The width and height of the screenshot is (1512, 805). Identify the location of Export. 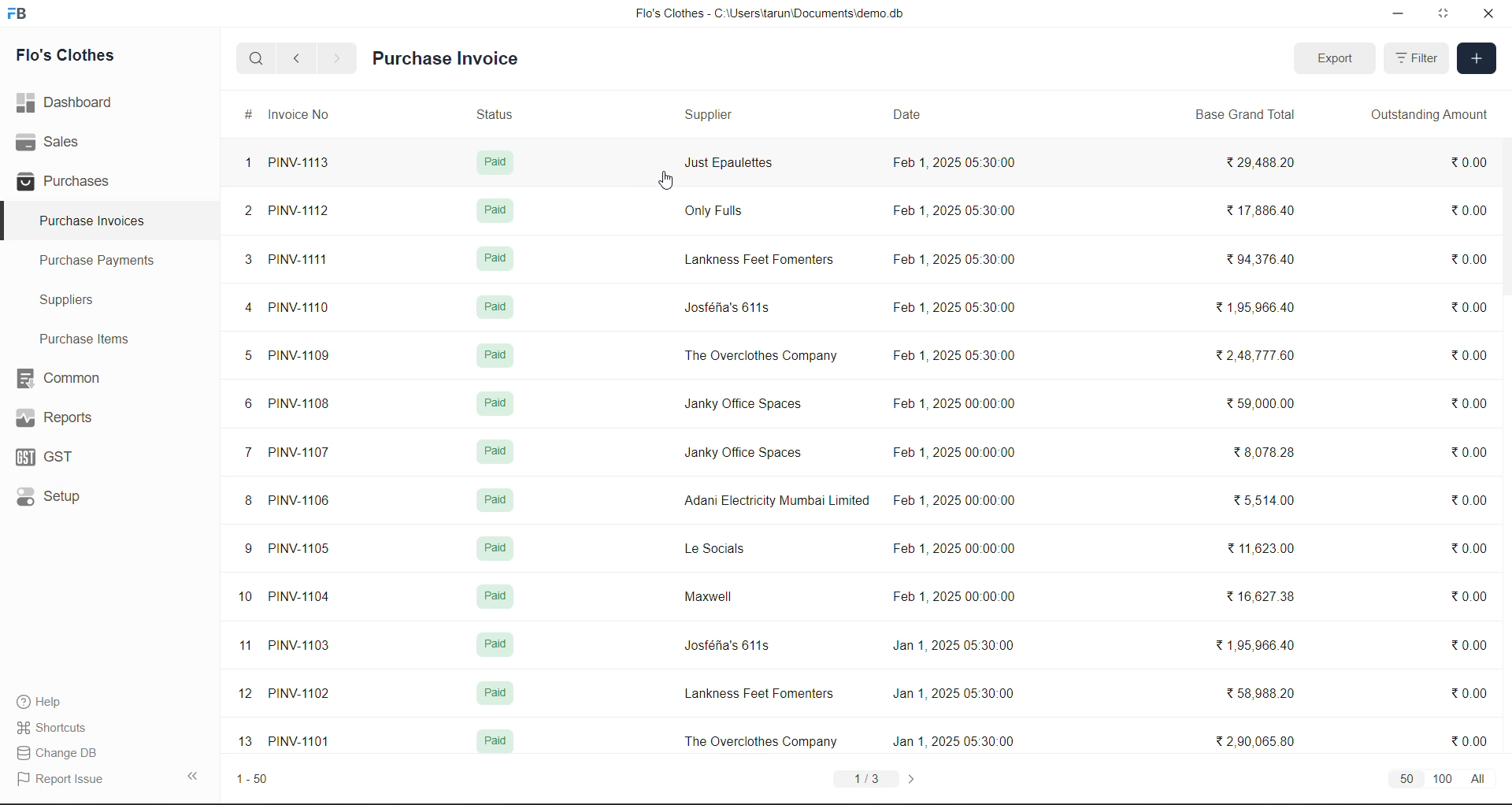
(1335, 58).